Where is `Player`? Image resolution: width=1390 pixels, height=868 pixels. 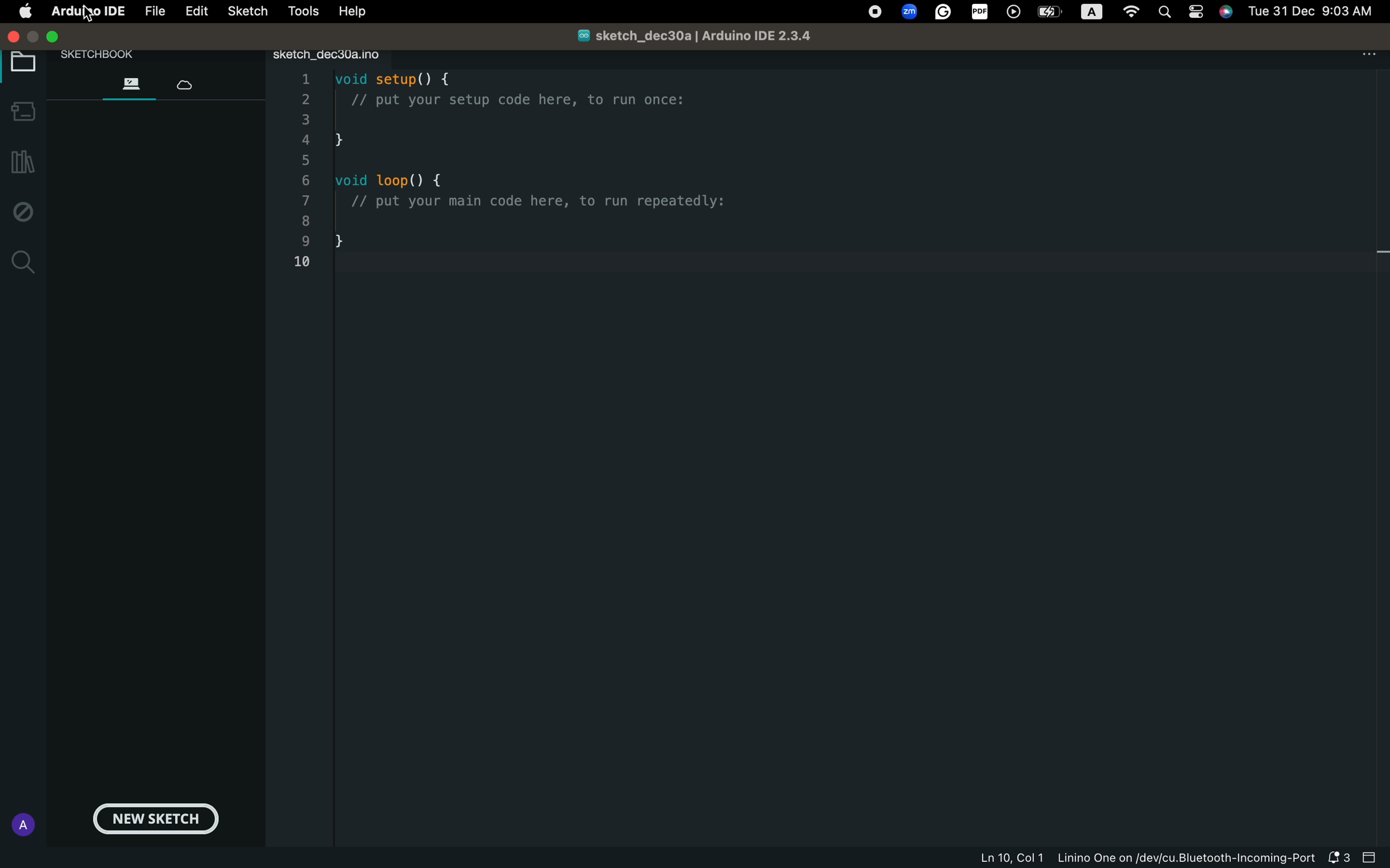 Player is located at coordinates (1014, 12).